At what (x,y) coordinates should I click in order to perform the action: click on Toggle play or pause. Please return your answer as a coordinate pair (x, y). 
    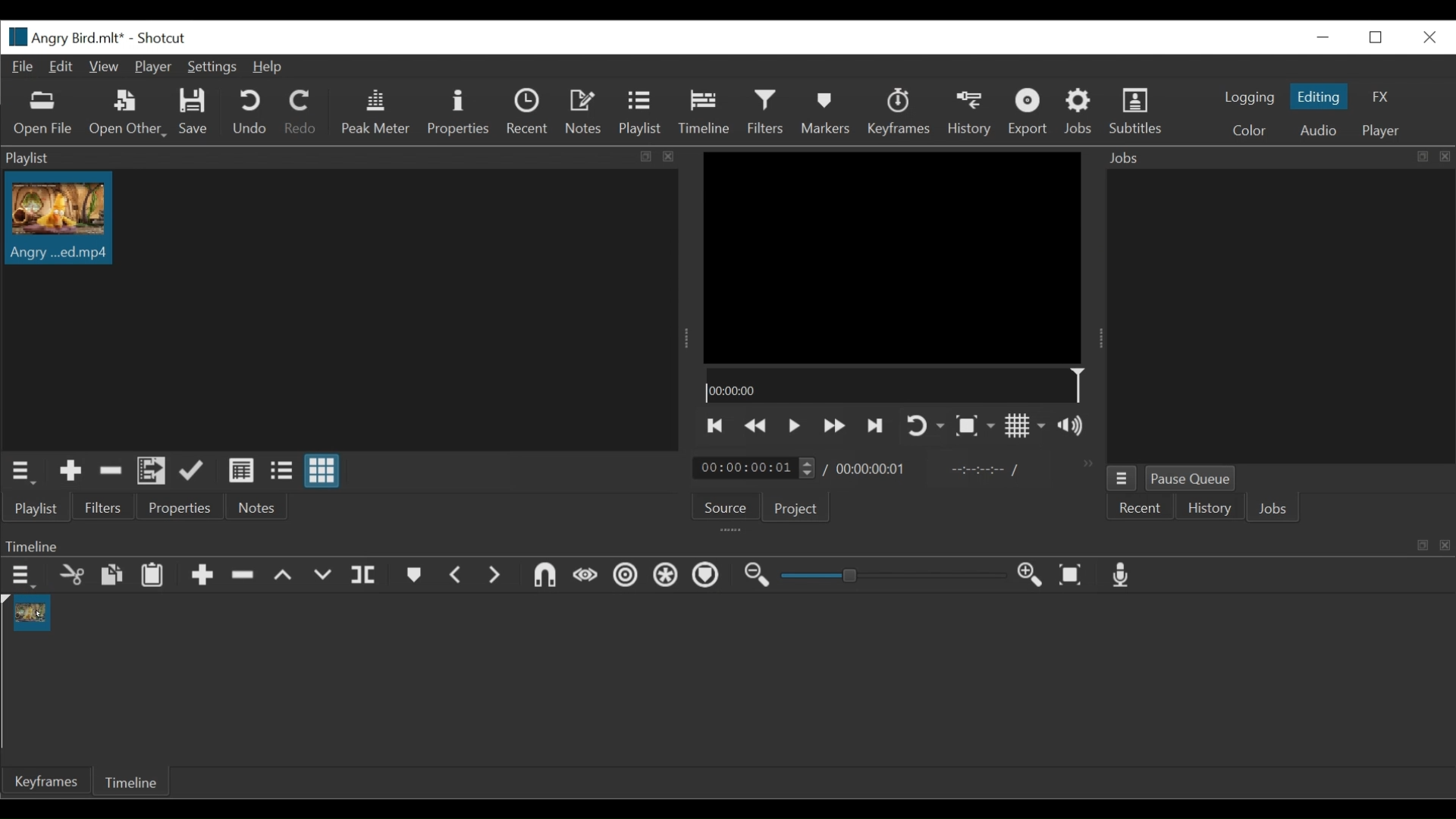
    Looking at the image, I should click on (795, 425).